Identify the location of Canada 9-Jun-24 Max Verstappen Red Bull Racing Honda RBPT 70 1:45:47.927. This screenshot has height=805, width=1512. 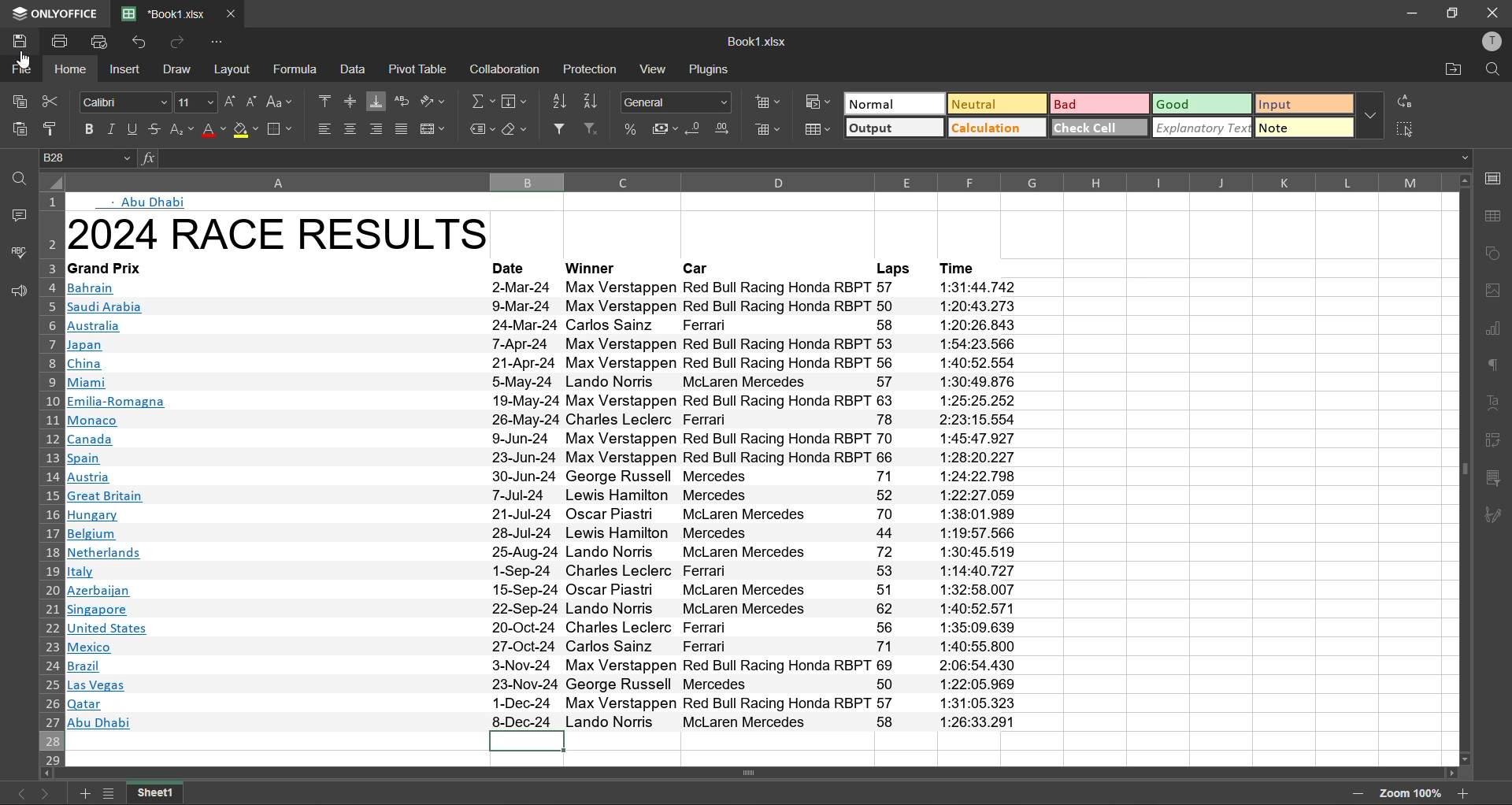
(545, 438).